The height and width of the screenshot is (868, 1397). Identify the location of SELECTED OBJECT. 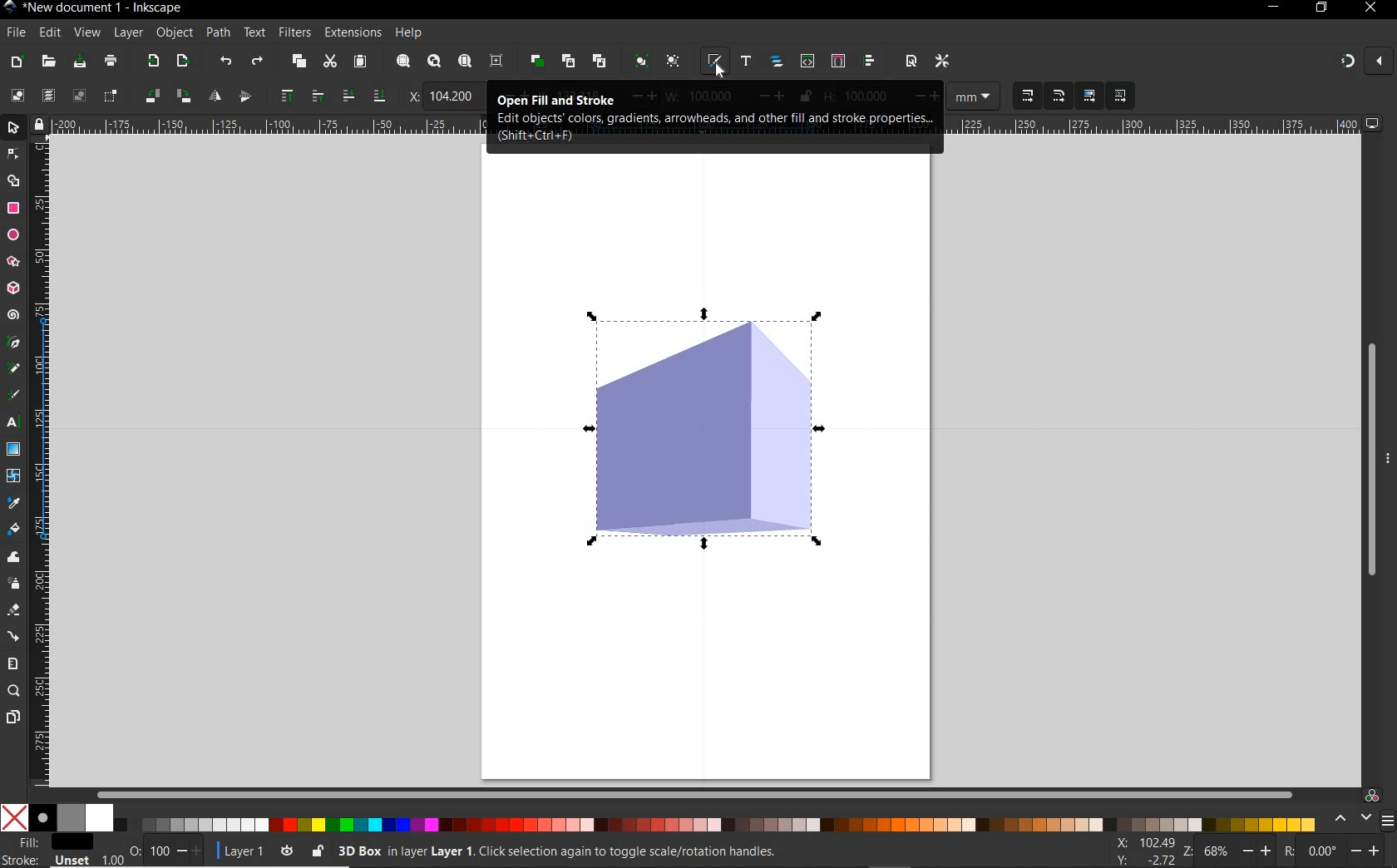
(725, 428).